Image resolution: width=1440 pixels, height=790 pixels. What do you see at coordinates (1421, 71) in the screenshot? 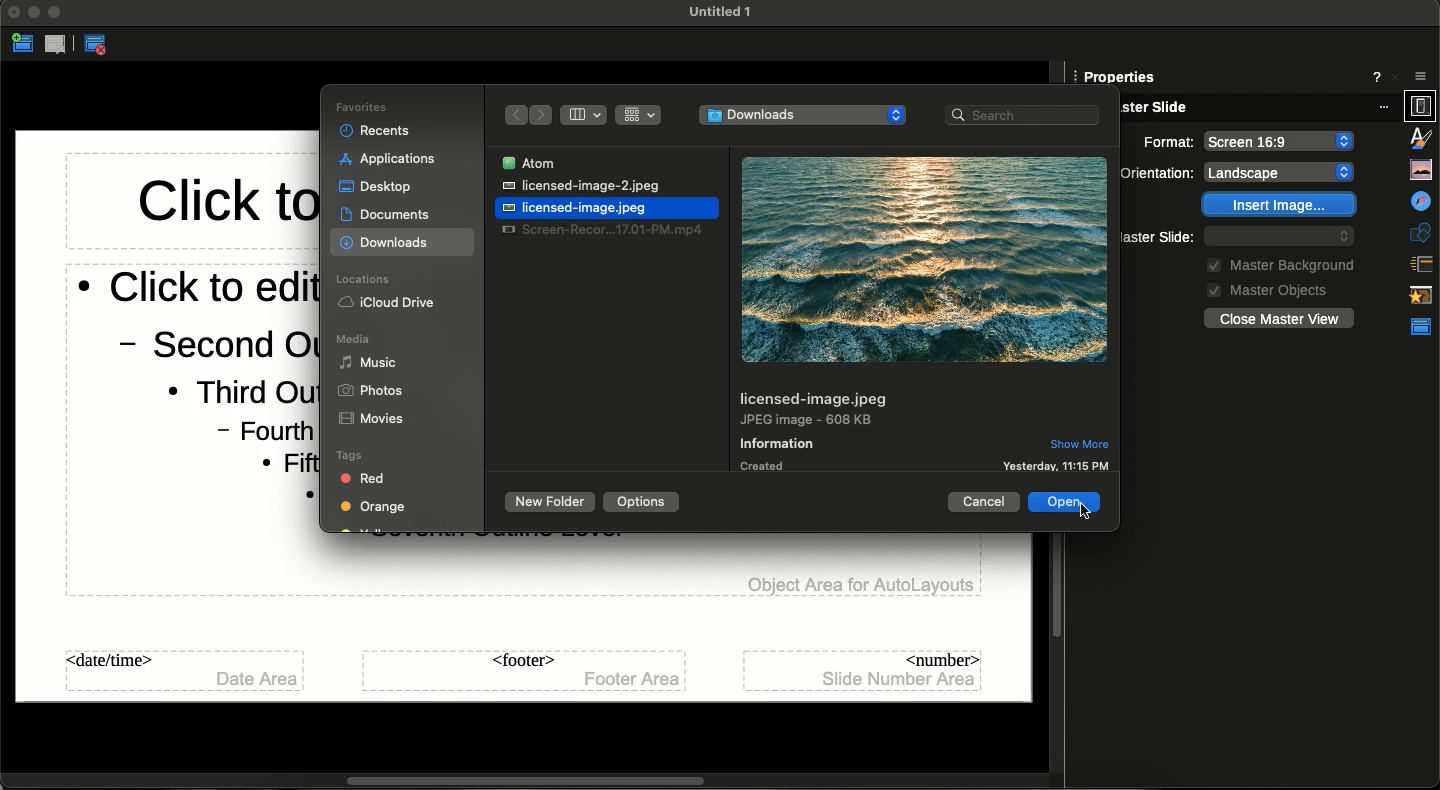
I see `Properties` at bounding box center [1421, 71].